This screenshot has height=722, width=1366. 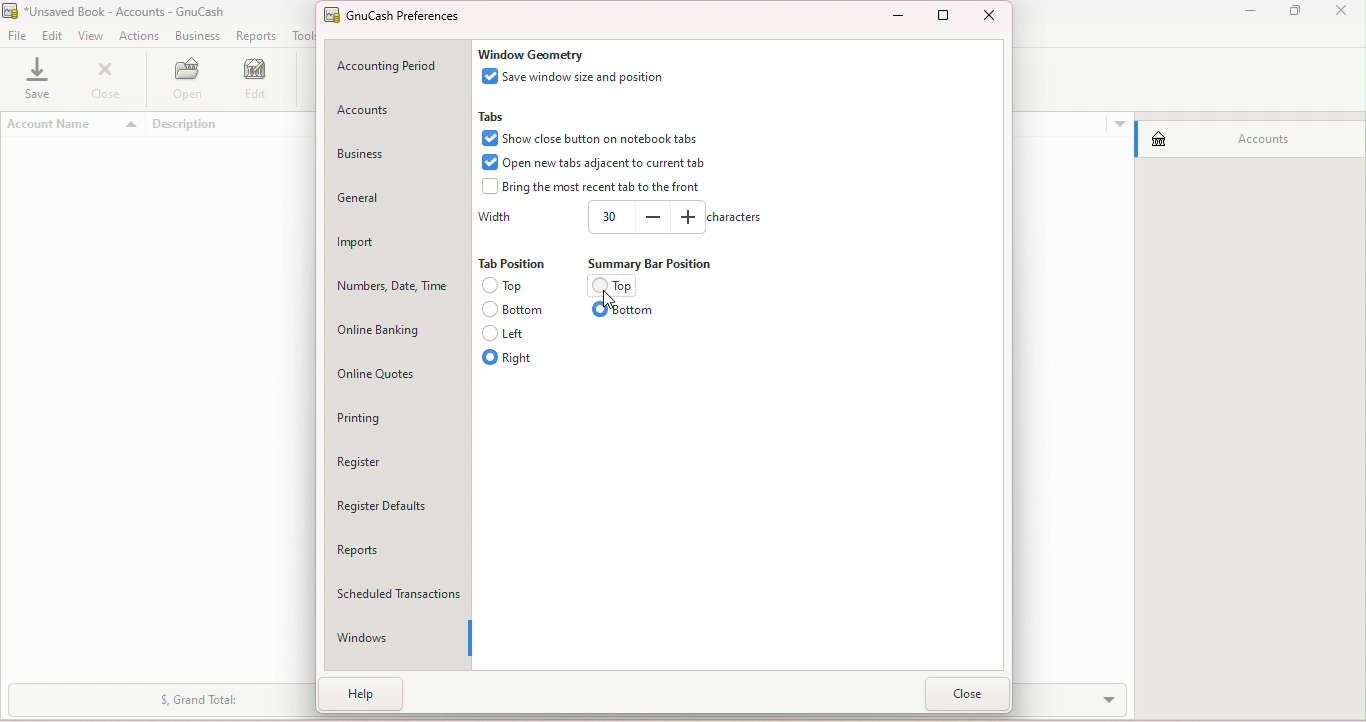 What do you see at coordinates (605, 163) in the screenshot?
I see `Open new tabs adjacent to tab` at bounding box center [605, 163].